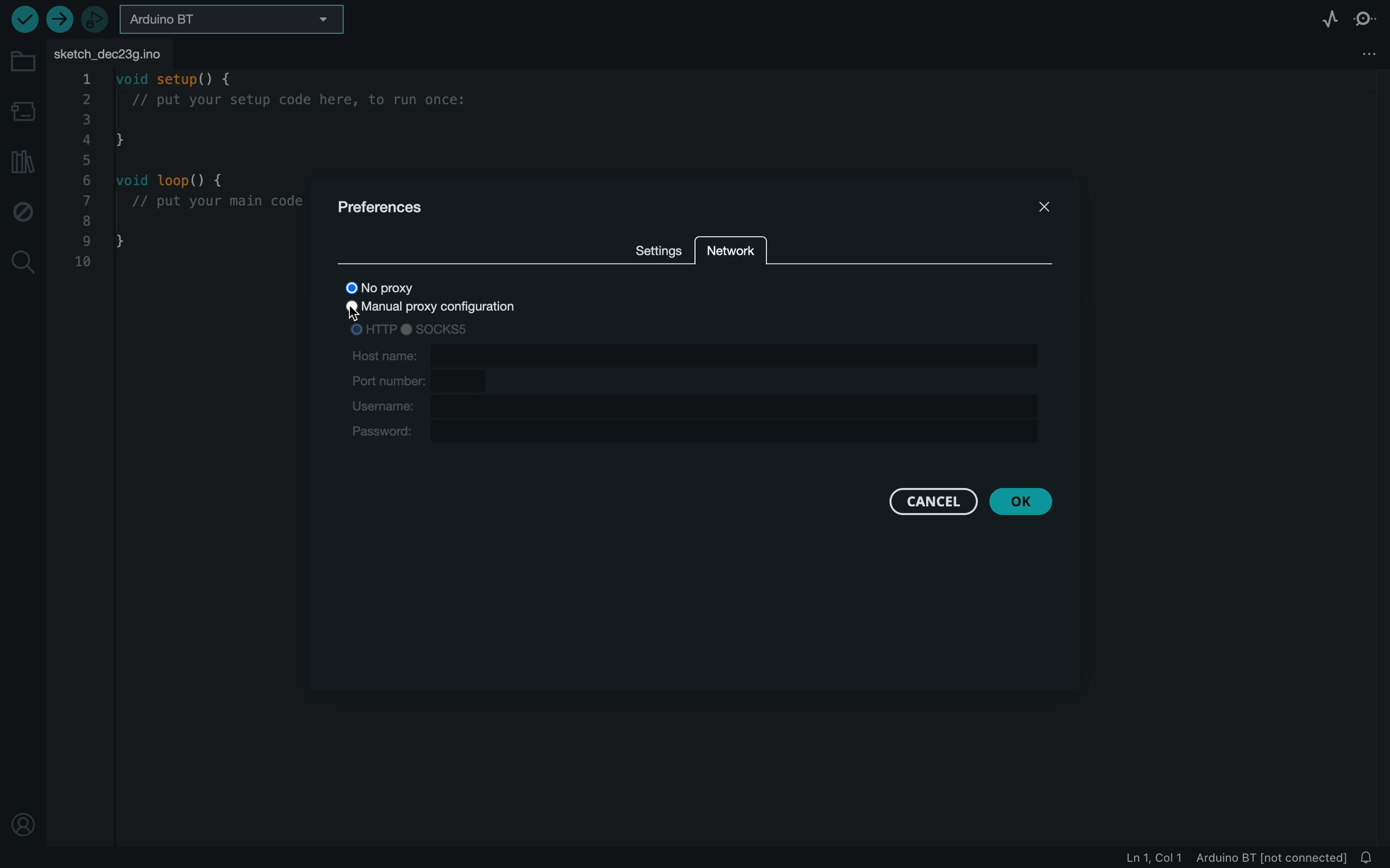  Describe the element at coordinates (933, 501) in the screenshot. I see `cancel` at that location.